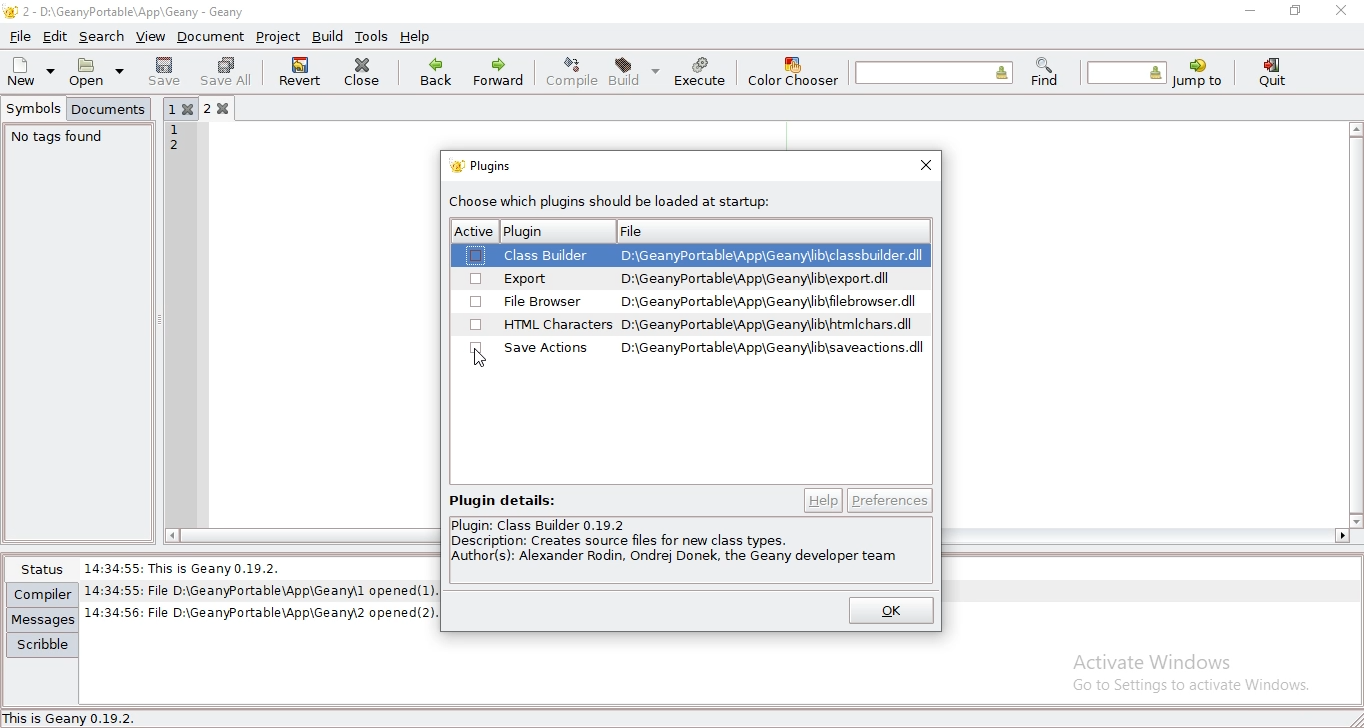 The image size is (1364, 728). Describe the element at coordinates (574, 71) in the screenshot. I see `compile` at that location.